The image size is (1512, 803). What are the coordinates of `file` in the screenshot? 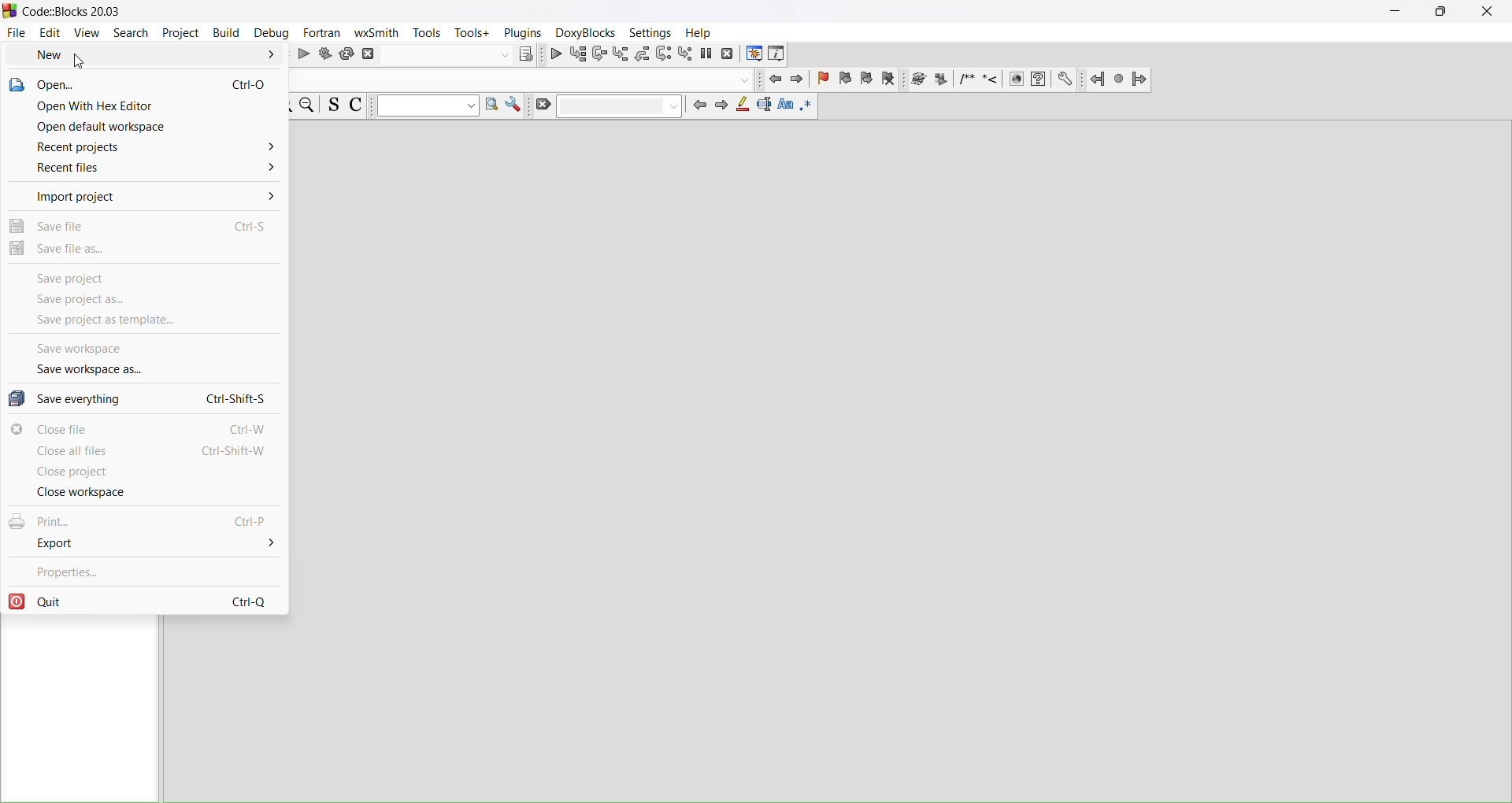 It's located at (16, 32).